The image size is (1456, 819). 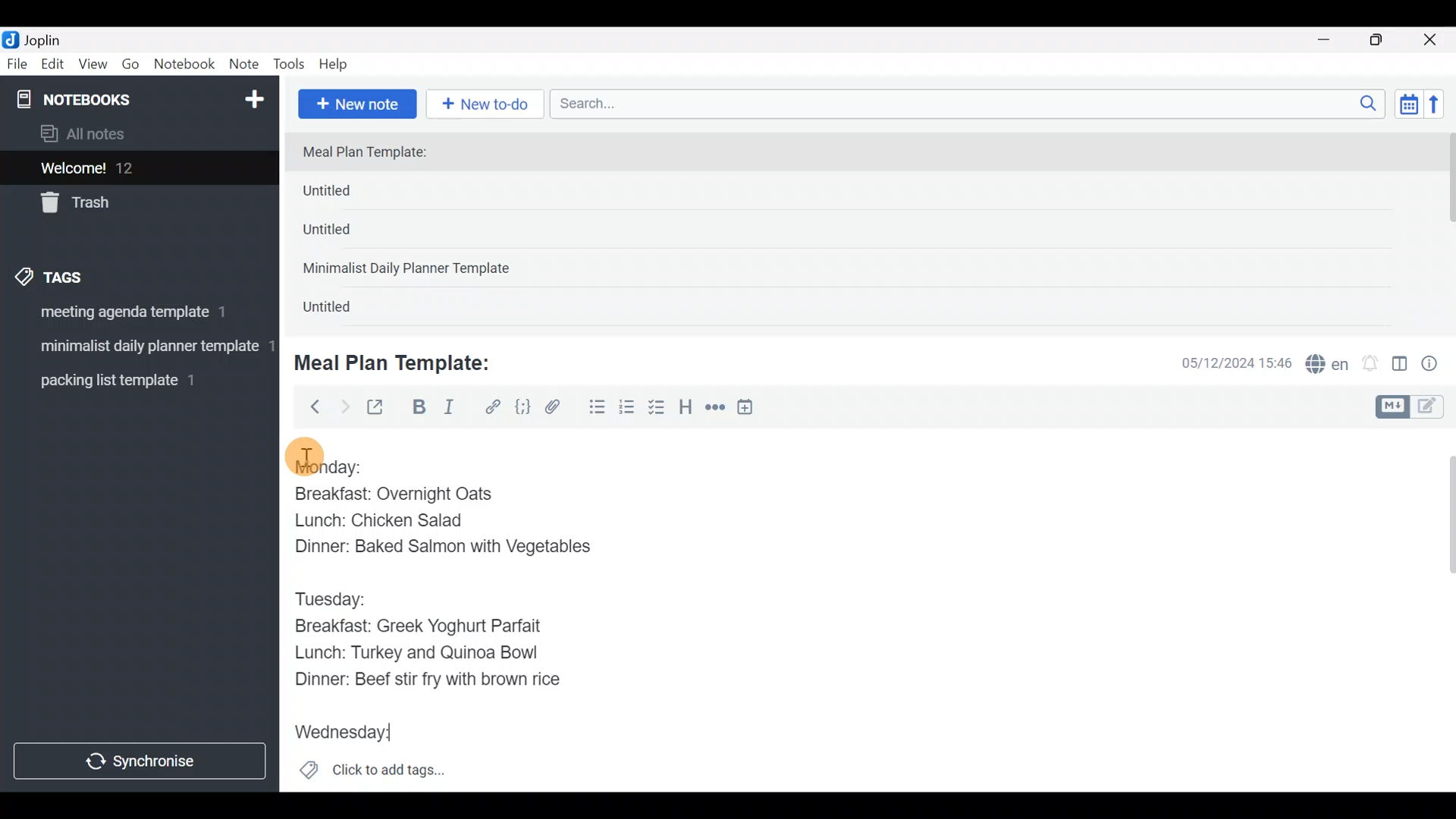 I want to click on Untitled, so click(x=344, y=310).